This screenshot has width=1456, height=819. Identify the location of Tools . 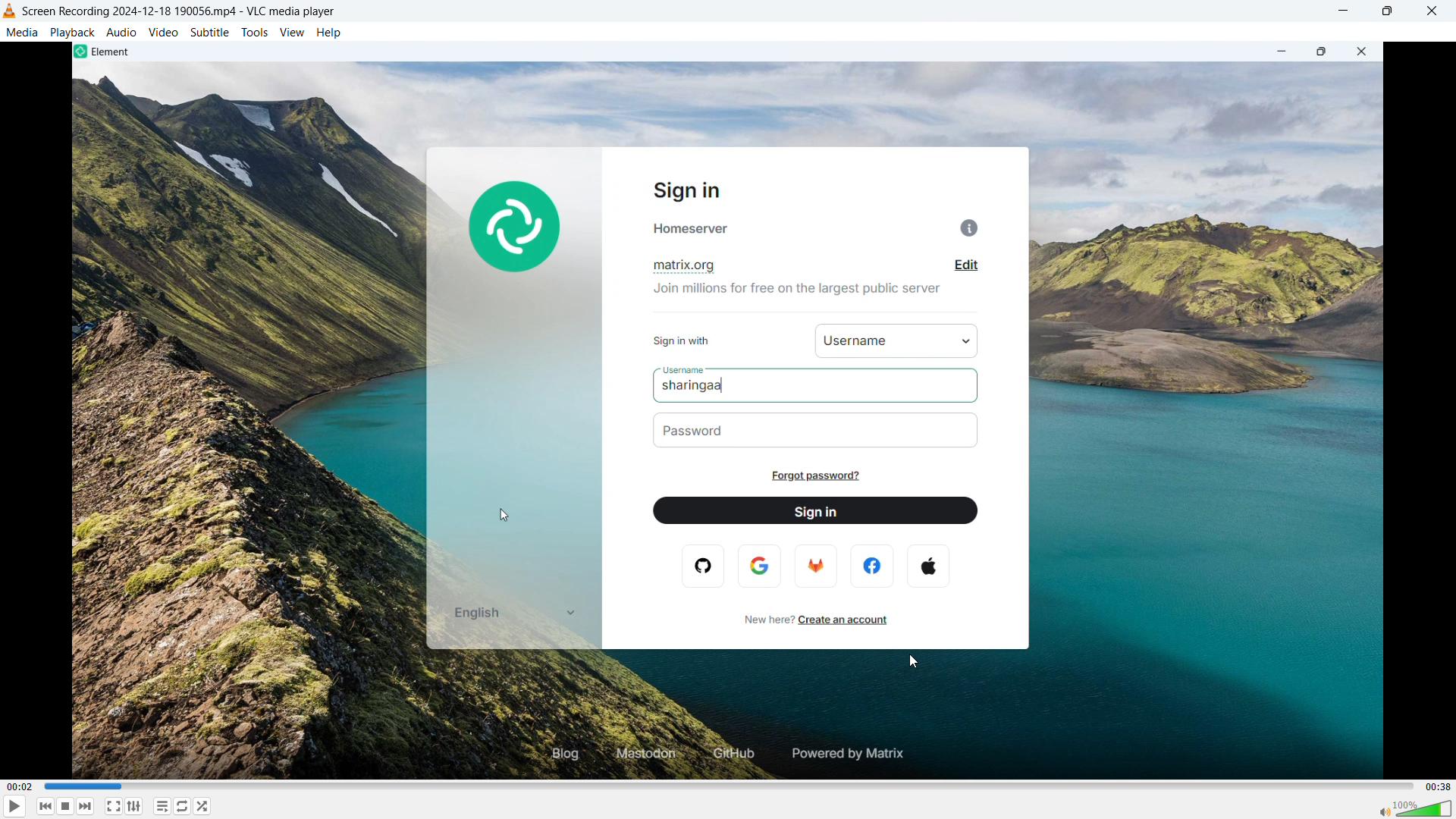
(255, 32).